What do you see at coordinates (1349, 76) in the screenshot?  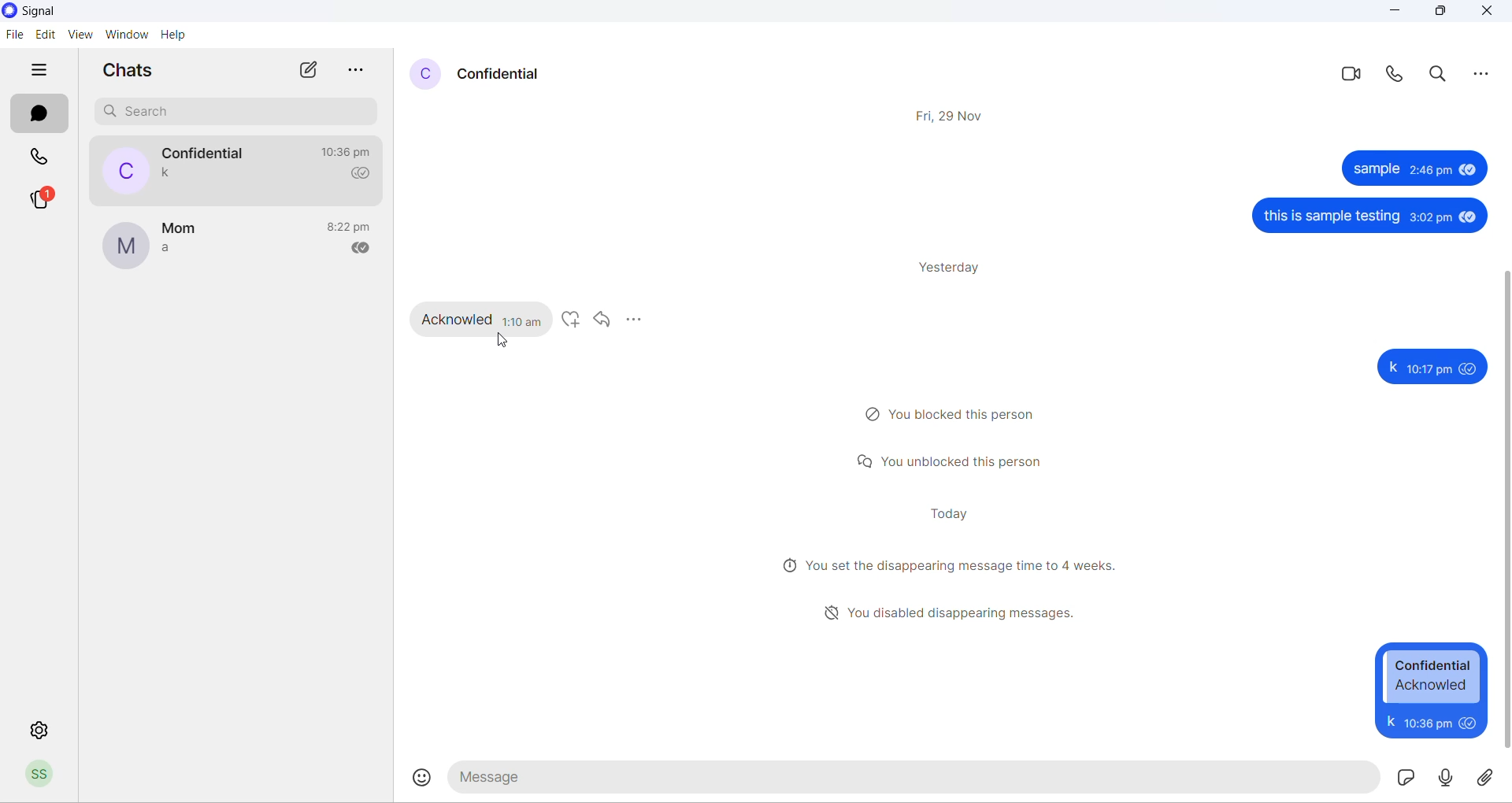 I see `video call` at bounding box center [1349, 76].